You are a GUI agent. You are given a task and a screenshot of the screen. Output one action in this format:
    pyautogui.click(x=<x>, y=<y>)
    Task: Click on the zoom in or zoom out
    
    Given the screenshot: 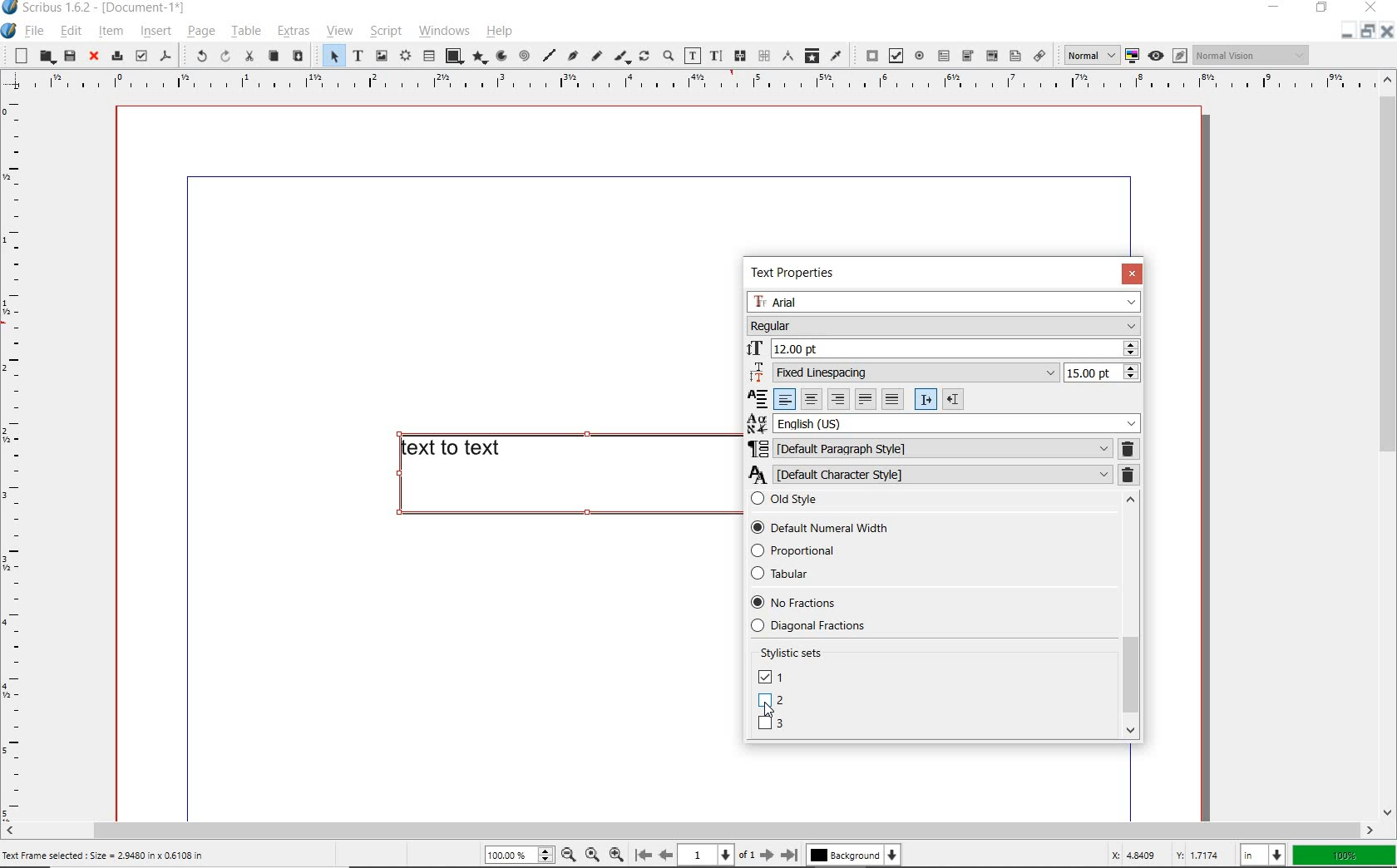 What is the action you would take?
    pyautogui.click(x=668, y=57)
    